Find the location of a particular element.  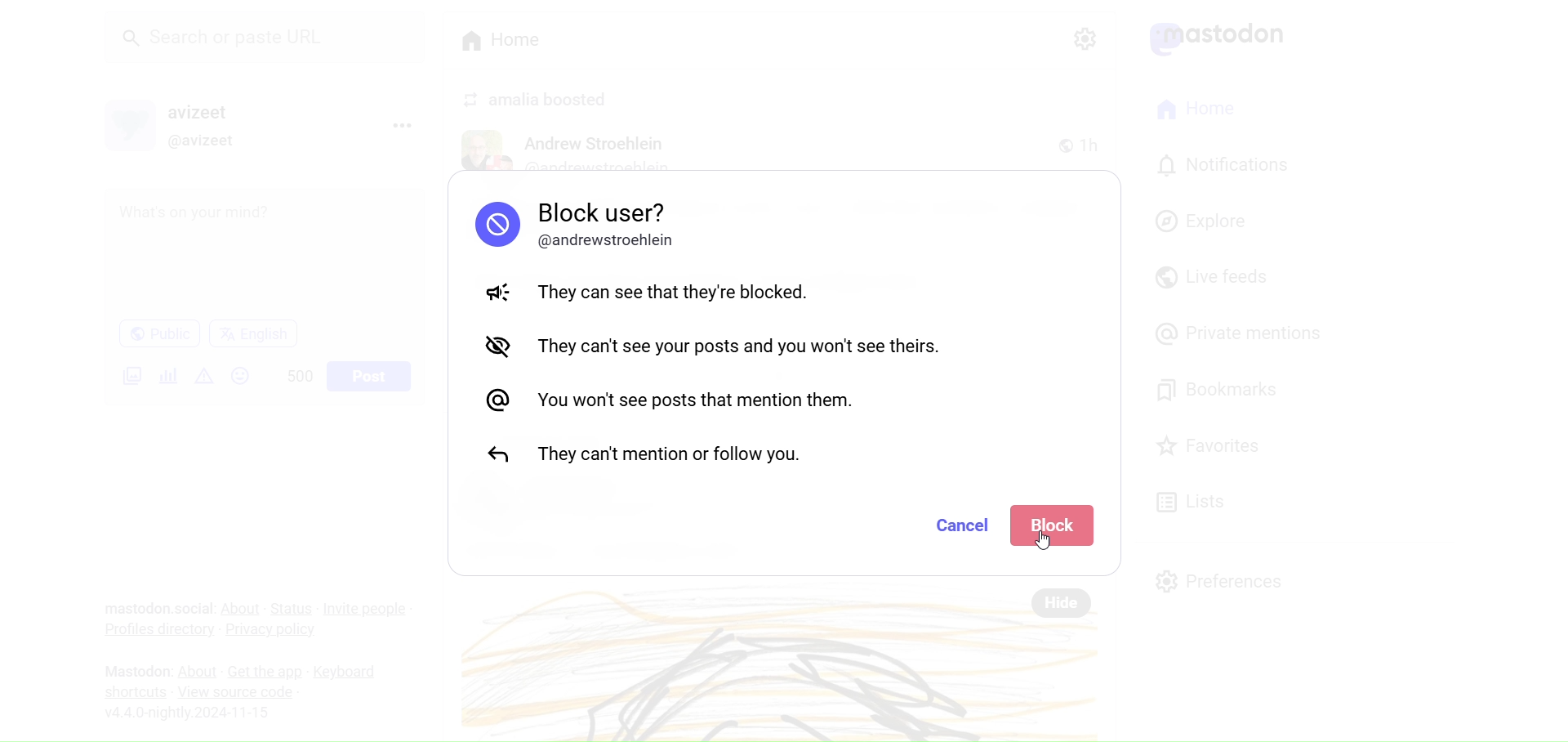

Block User Message is located at coordinates (788, 221).